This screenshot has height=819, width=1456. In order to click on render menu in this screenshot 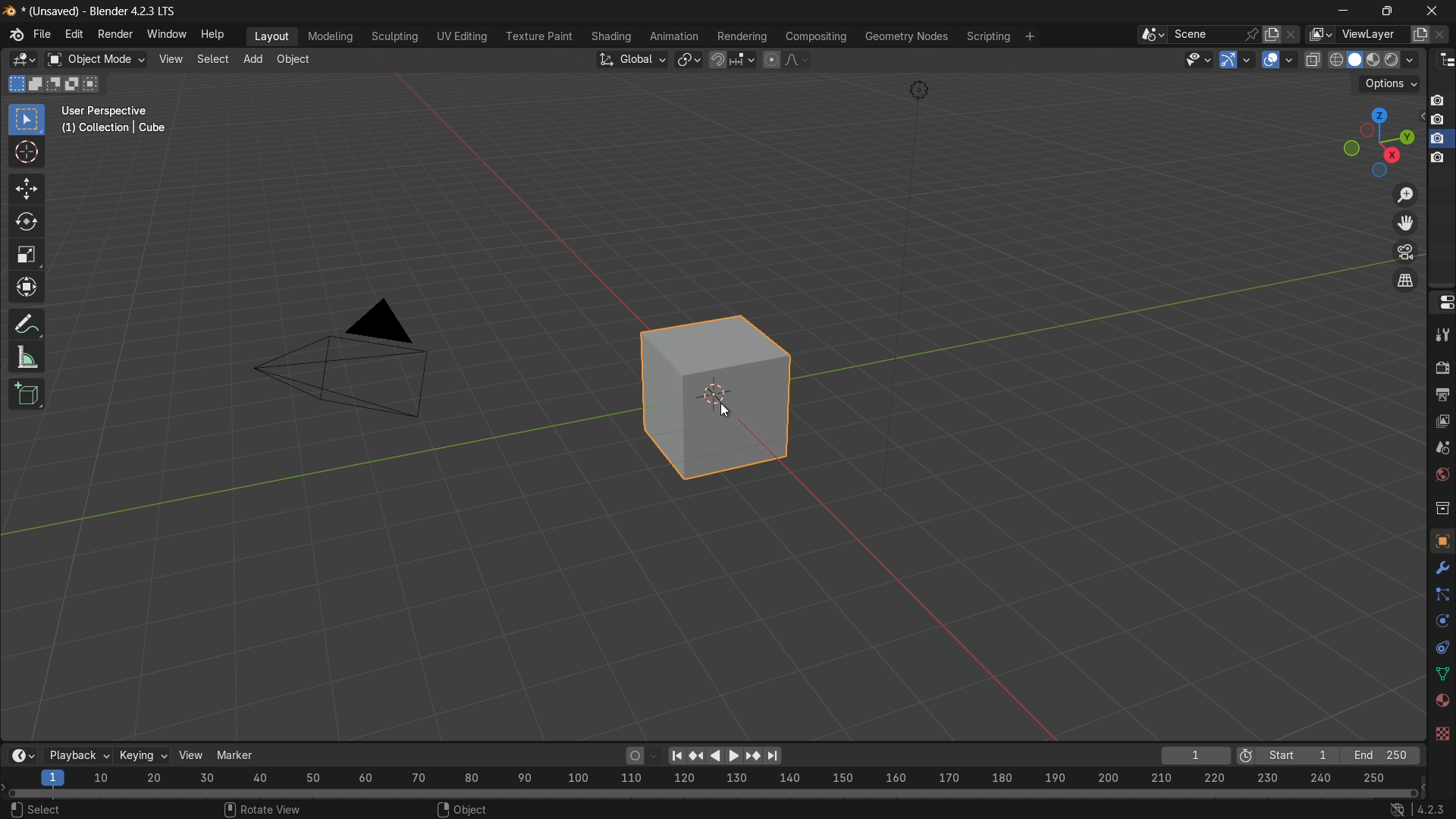, I will do `click(117, 33)`.